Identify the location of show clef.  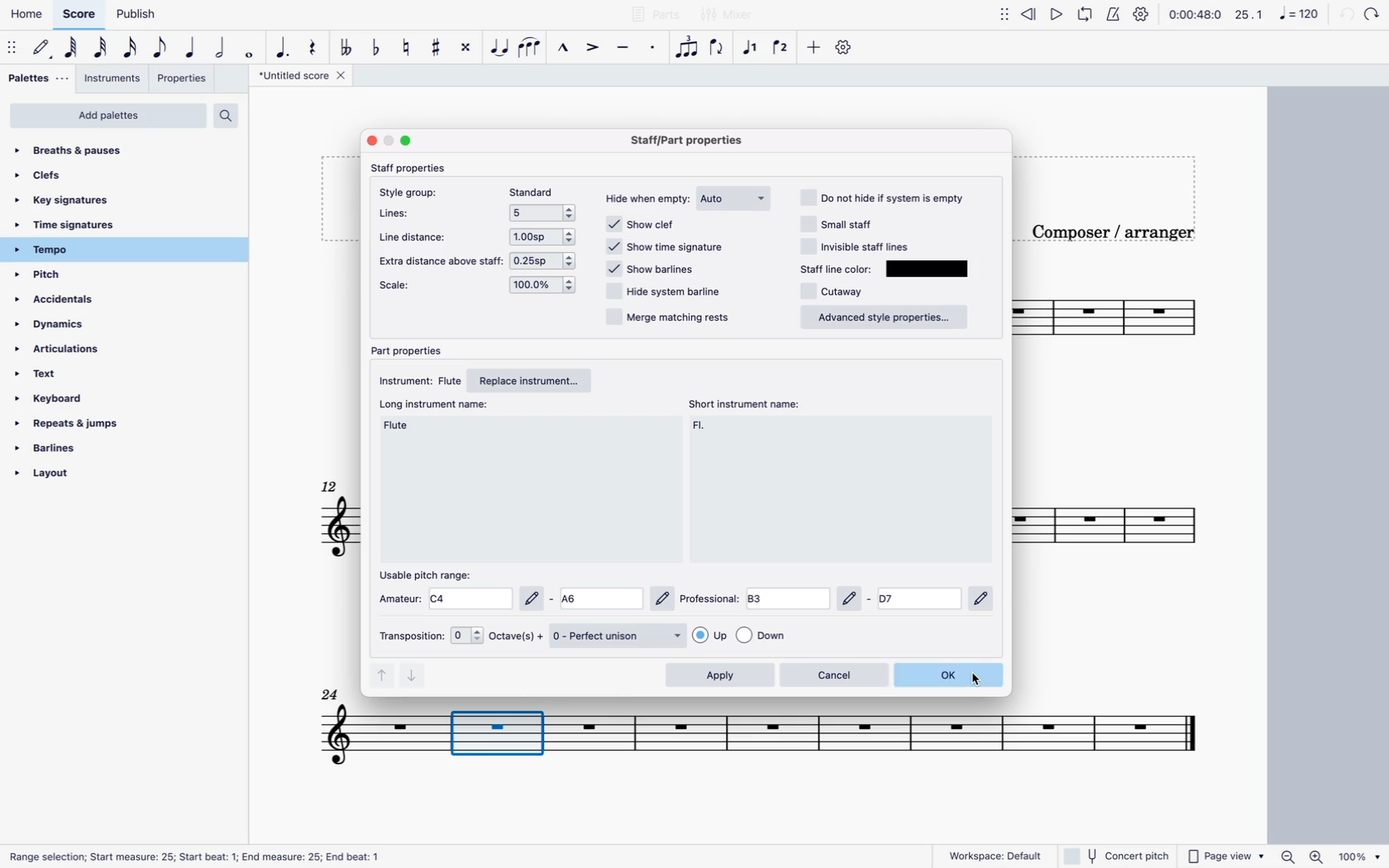
(665, 224).